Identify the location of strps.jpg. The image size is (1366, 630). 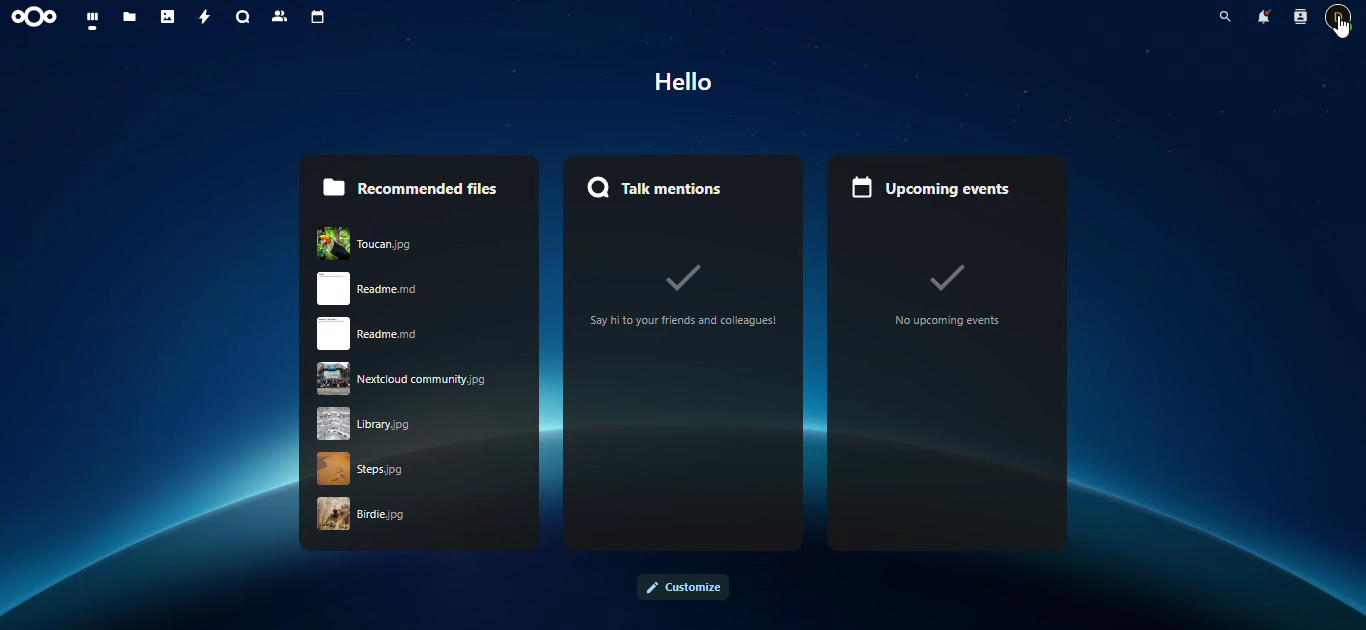
(409, 468).